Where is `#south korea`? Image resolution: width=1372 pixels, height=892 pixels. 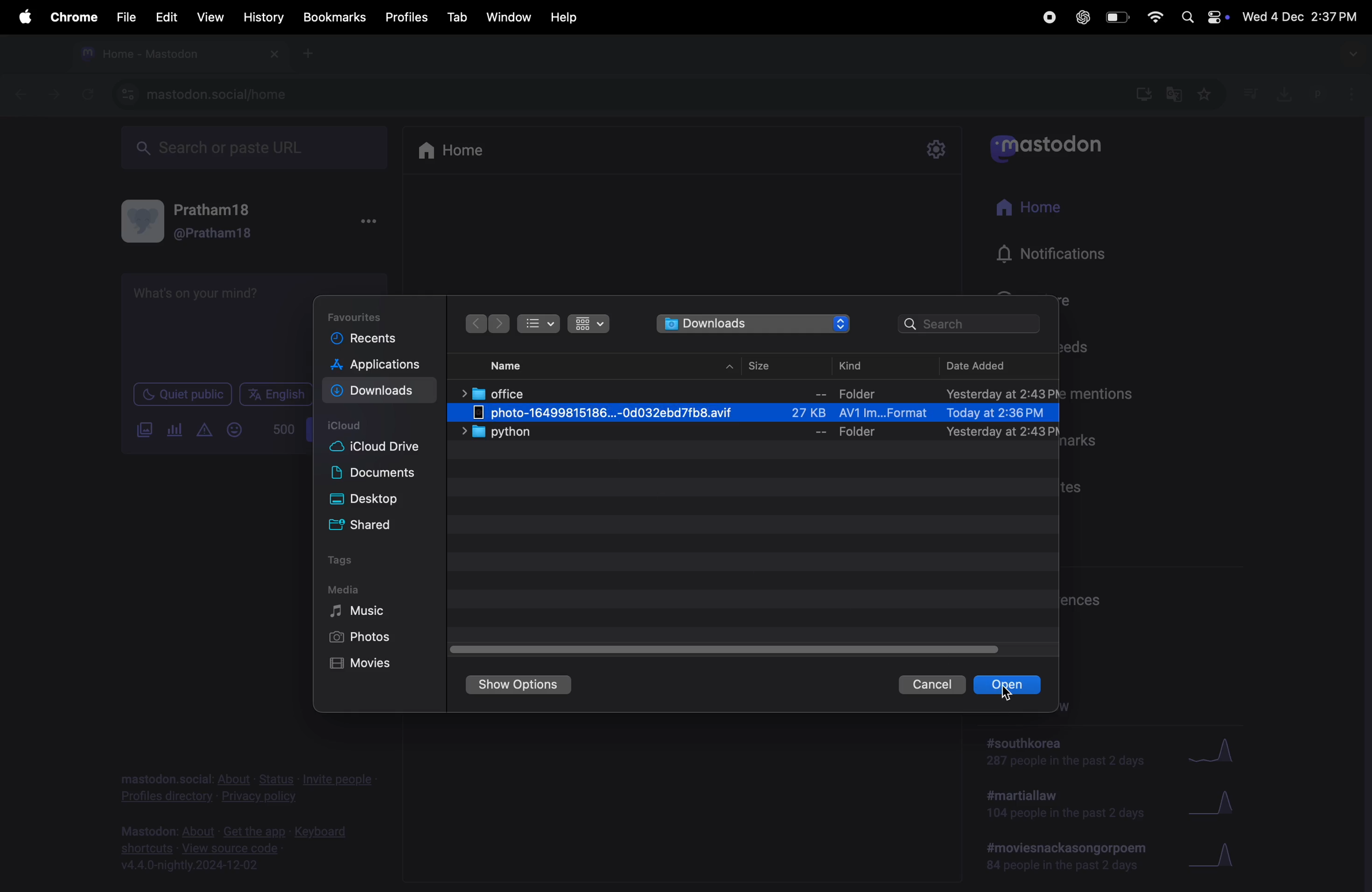 #south korea is located at coordinates (1067, 751).